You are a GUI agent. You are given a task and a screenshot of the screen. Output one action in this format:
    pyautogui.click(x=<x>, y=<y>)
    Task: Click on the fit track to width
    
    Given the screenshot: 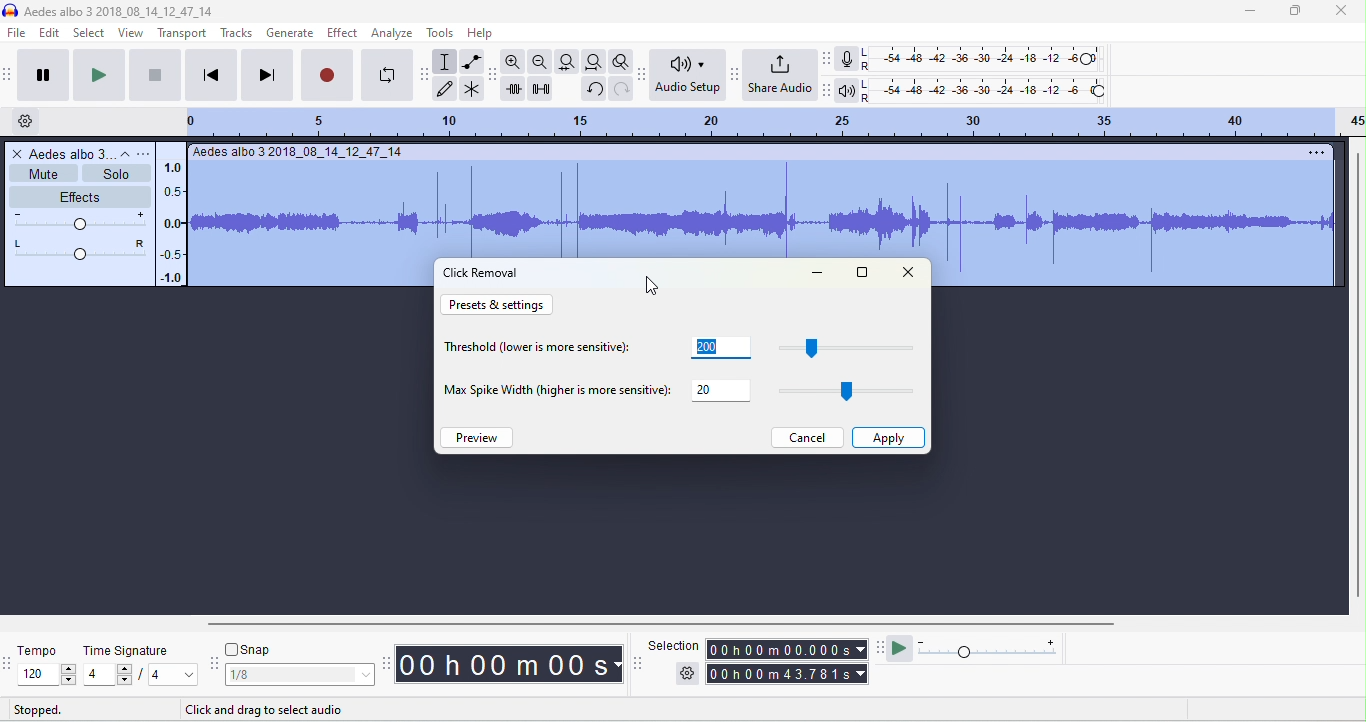 What is the action you would take?
    pyautogui.click(x=566, y=61)
    